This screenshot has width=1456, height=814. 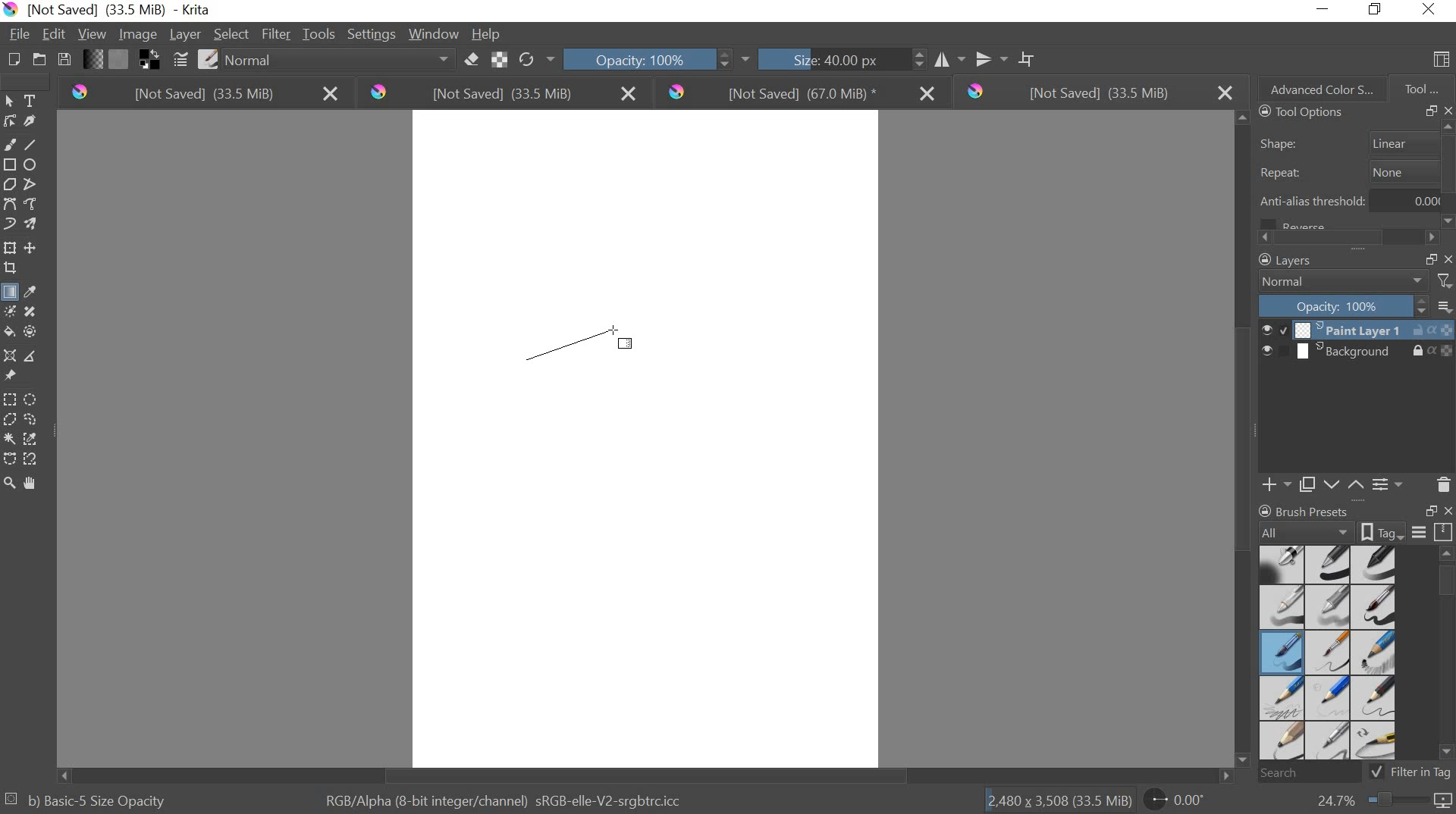 I want to click on CLOSE, so click(x=1446, y=512).